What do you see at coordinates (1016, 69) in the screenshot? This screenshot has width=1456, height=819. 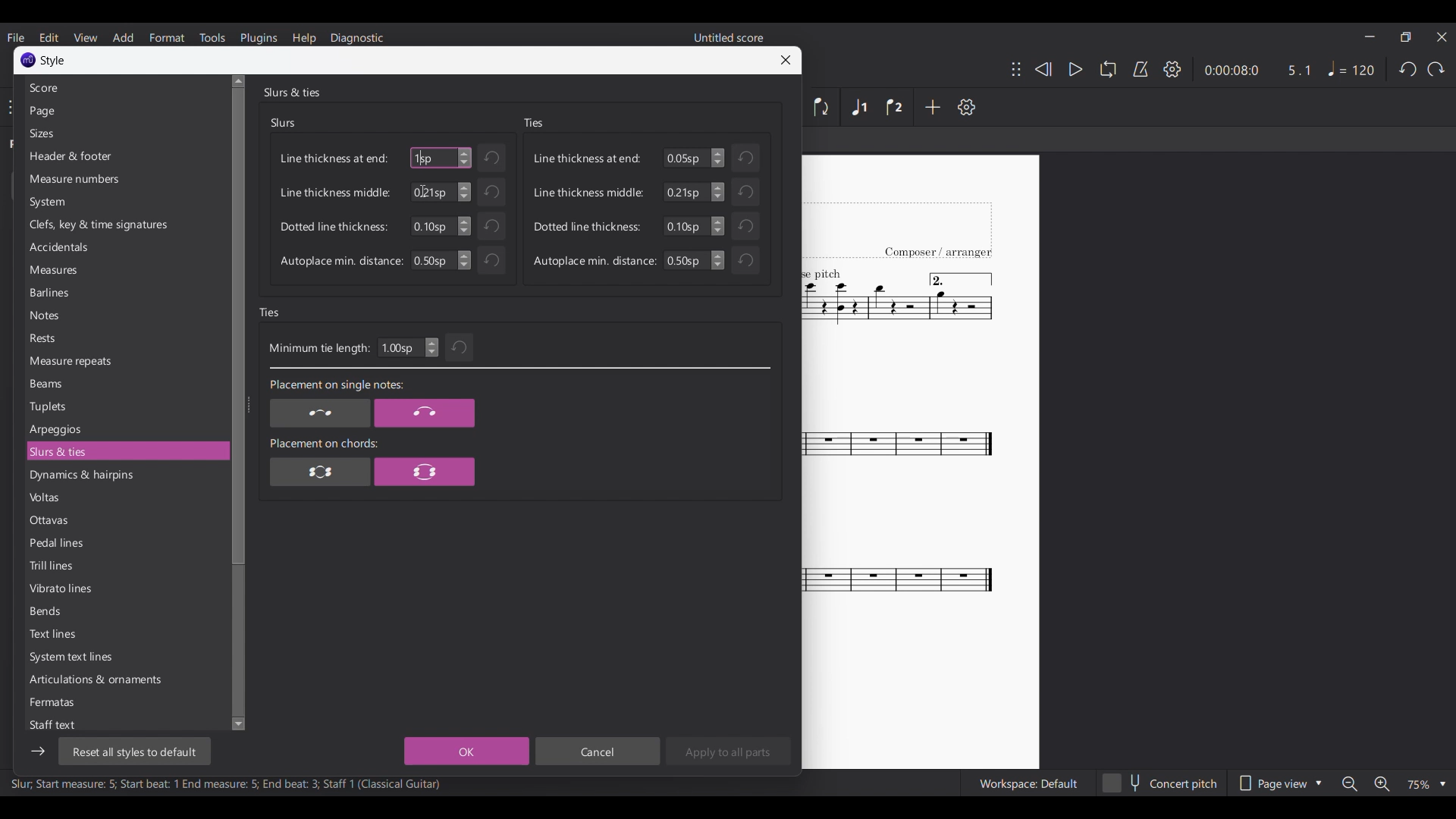 I see `Change position` at bounding box center [1016, 69].